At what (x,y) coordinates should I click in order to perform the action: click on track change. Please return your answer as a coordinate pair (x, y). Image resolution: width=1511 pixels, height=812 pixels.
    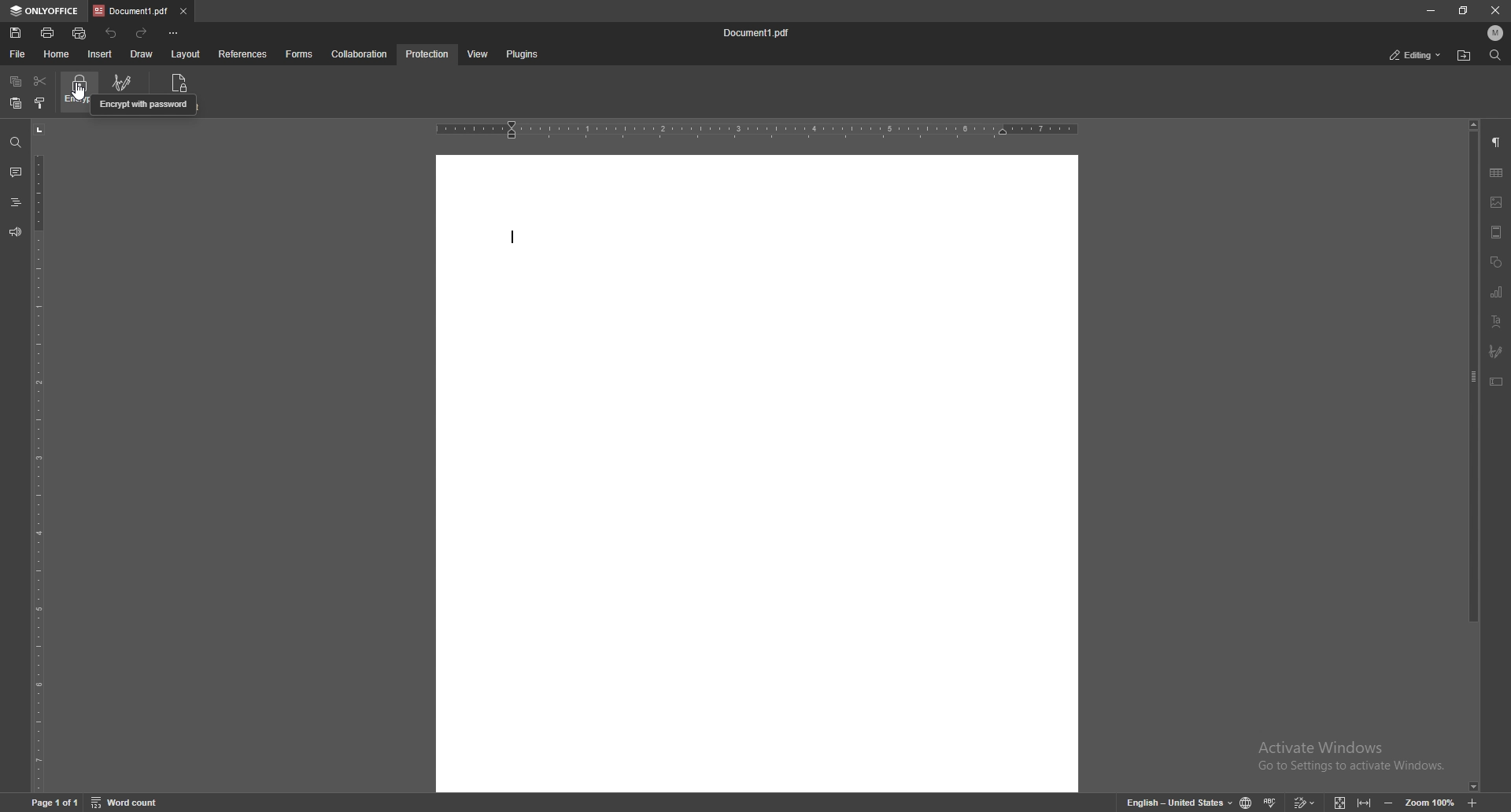
    Looking at the image, I should click on (1306, 802).